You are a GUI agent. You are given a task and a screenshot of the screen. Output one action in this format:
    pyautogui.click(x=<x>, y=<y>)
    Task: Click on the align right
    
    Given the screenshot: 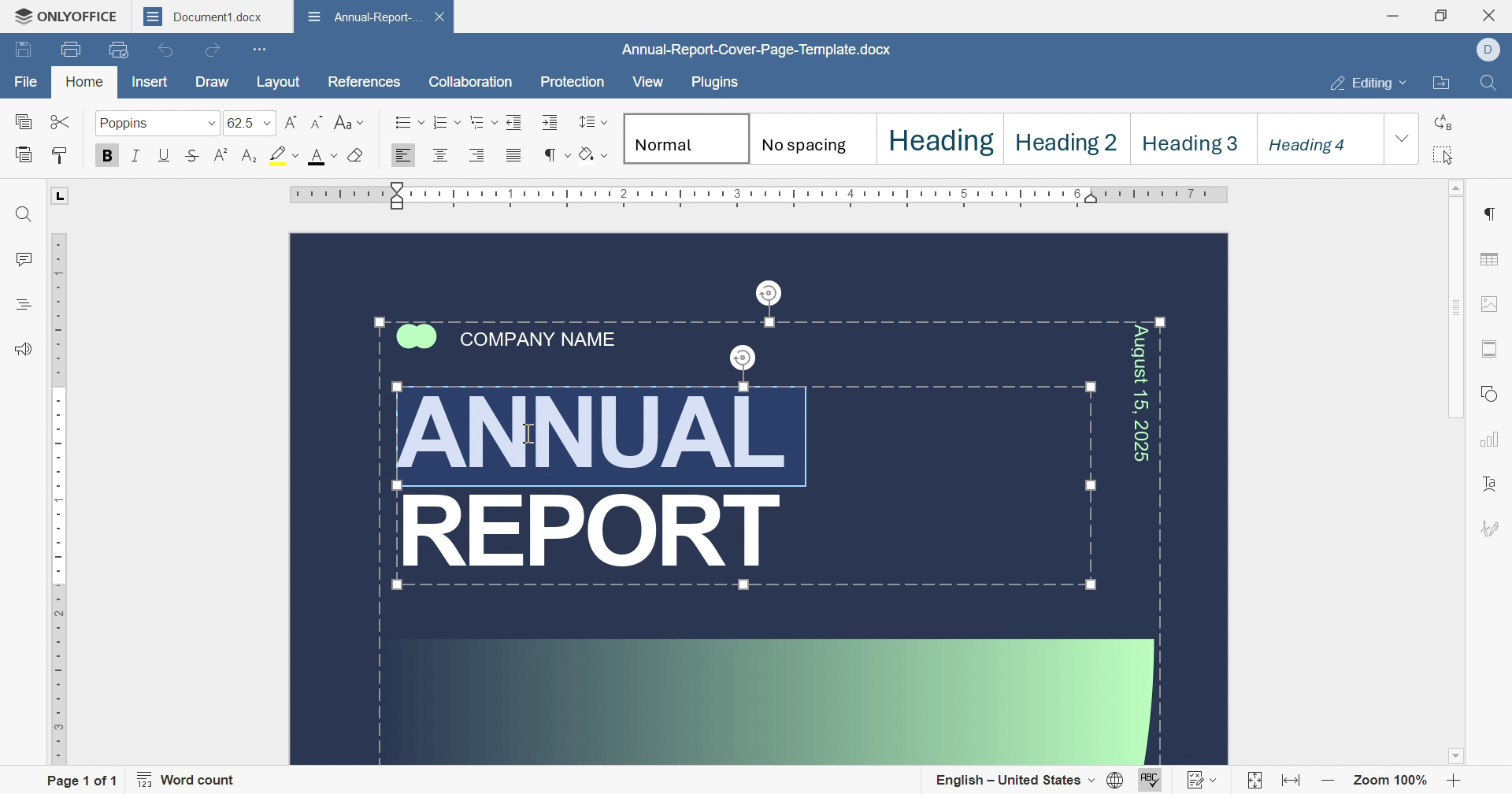 What is the action you would take?
    pyautogui.click(x=484, y=154)
    